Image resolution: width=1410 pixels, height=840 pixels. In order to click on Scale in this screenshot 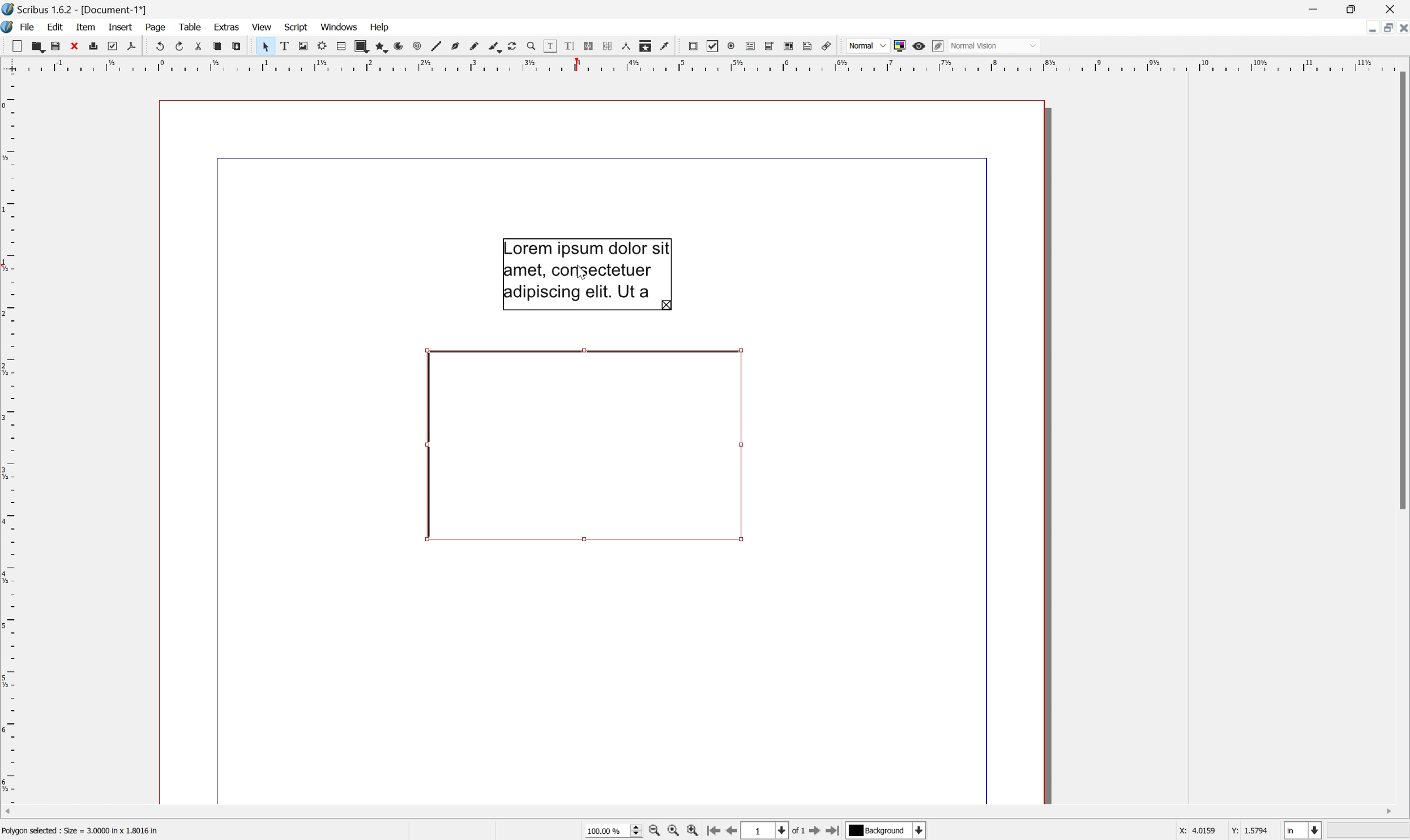, I will do `click(704, 64)`.